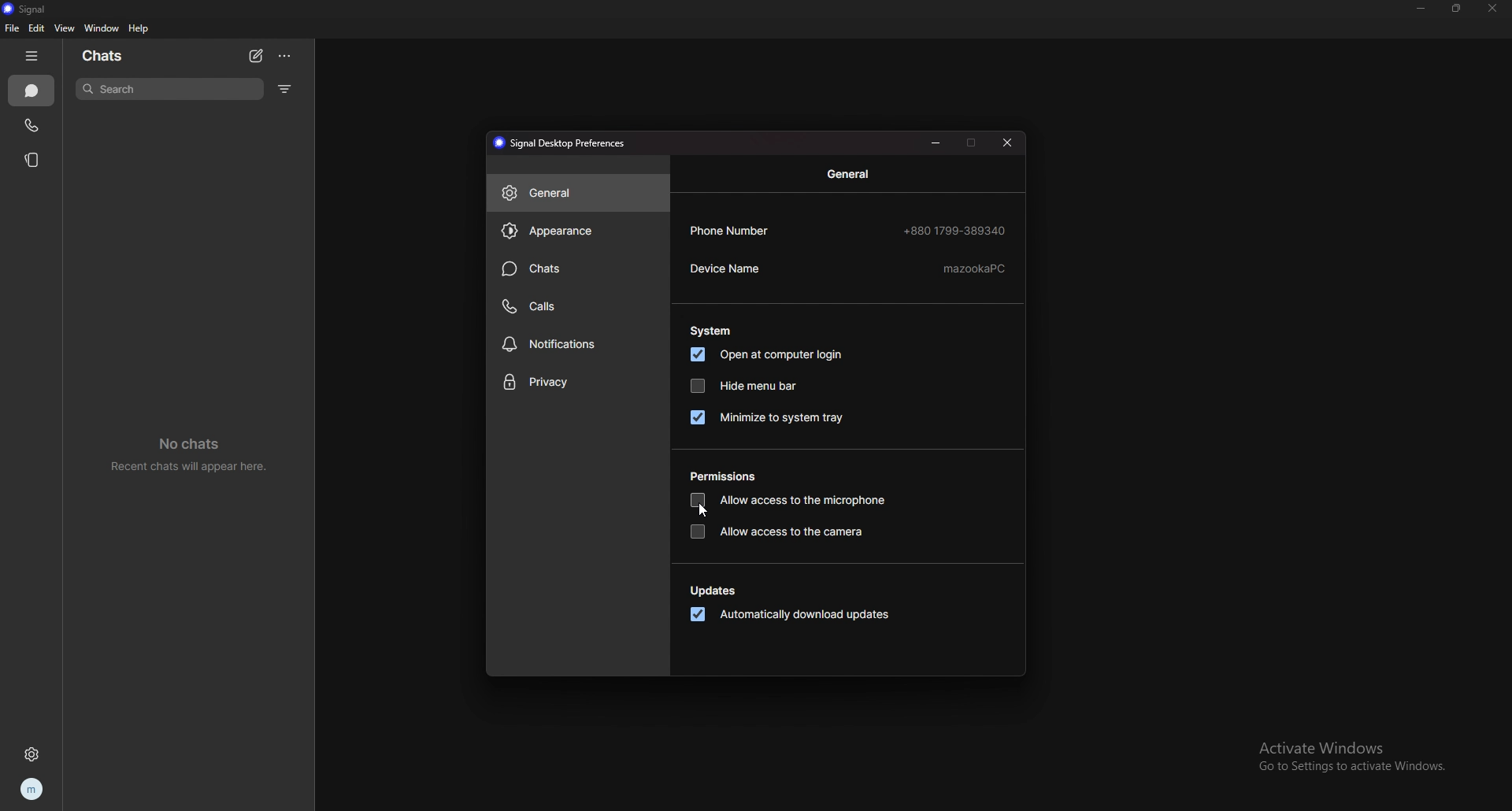  I want to click on edit, so click(35, 28).